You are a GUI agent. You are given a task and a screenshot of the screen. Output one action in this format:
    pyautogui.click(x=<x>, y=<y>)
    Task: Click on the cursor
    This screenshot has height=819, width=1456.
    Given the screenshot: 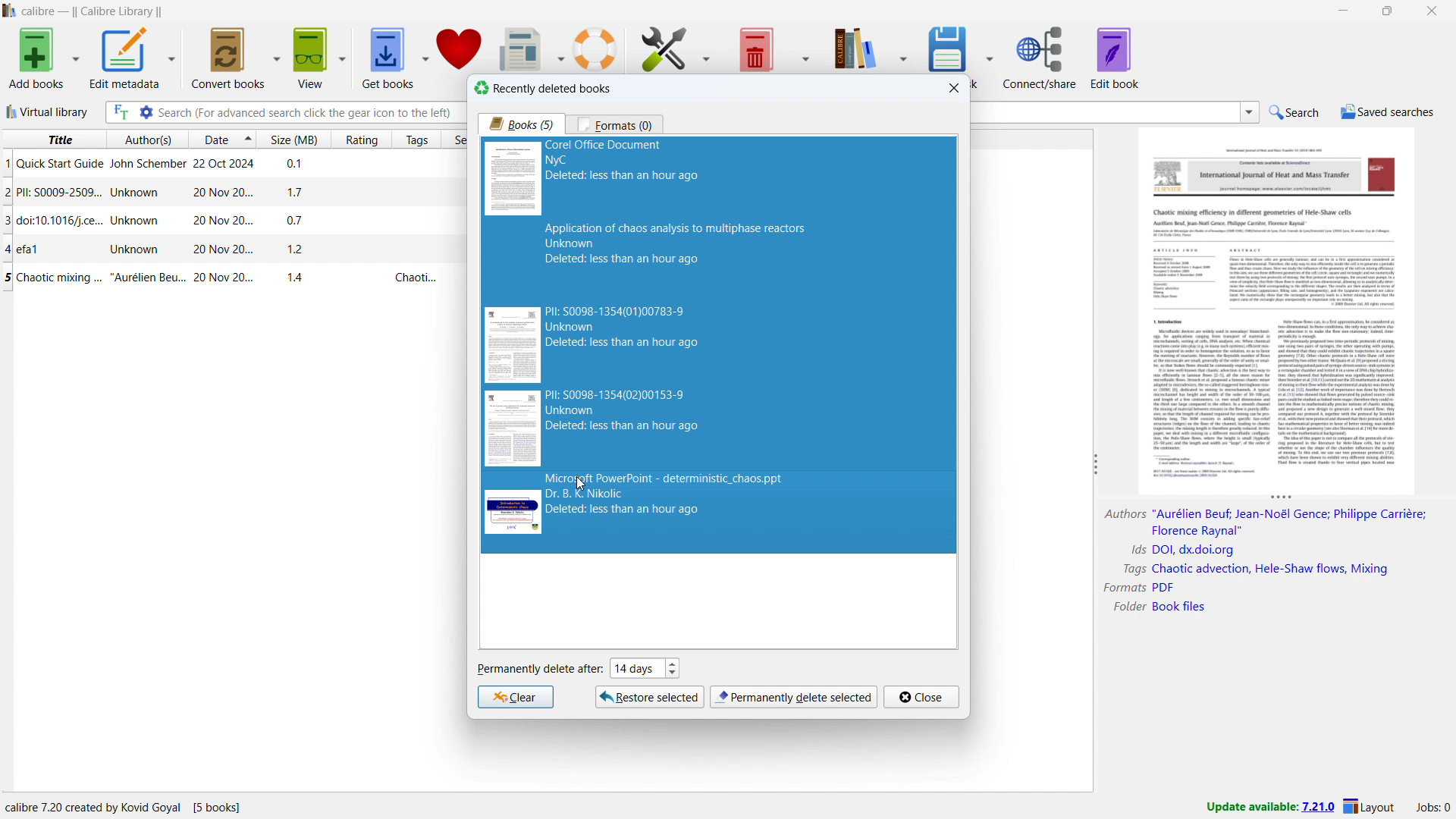 What is the action you would take?
    pyautogui.click(x=581, y=485)
    